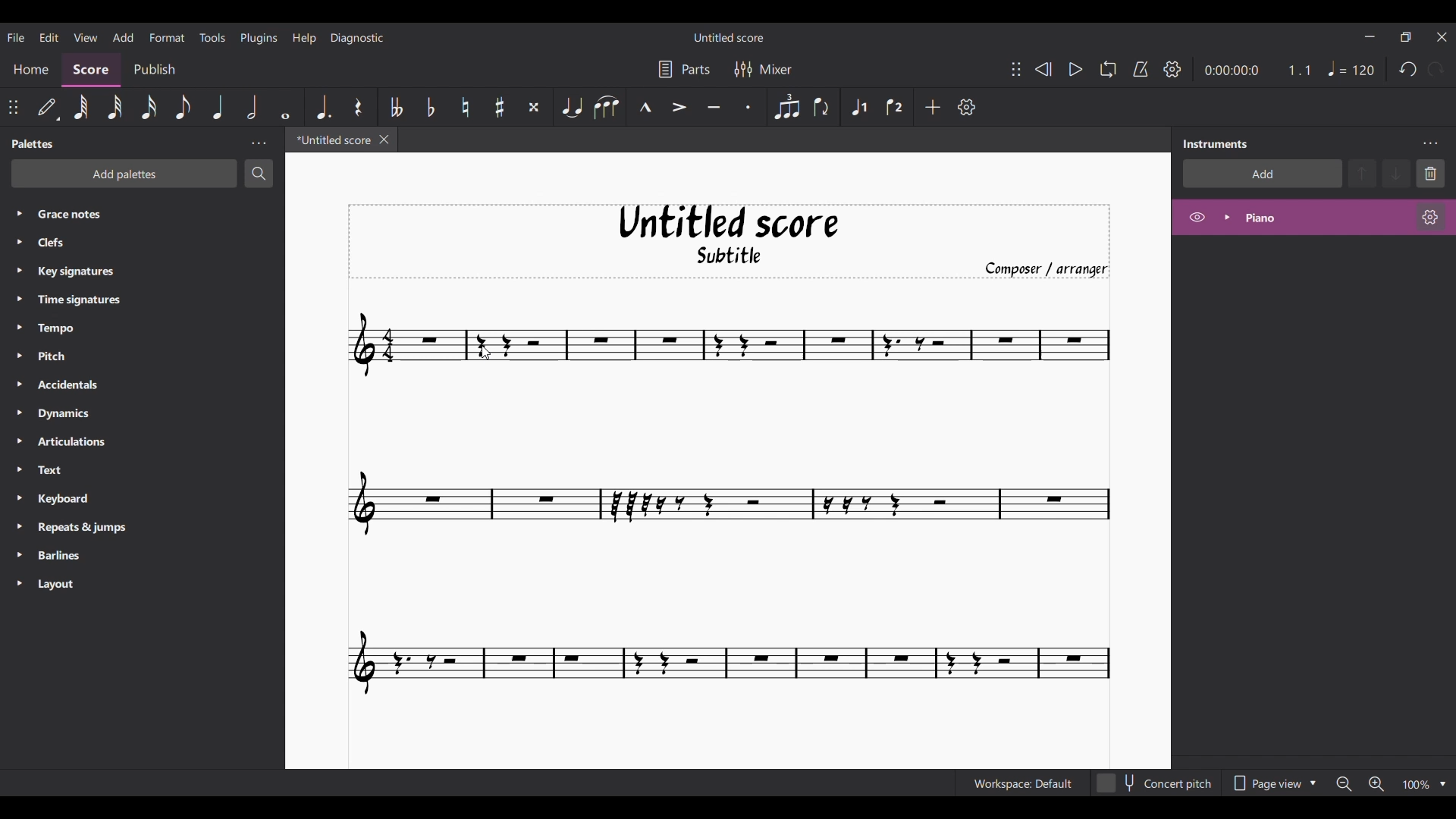 Image resolution: width=1456 pixels, height=819 pixels. I want to click on Expand piano, so click(1227, 217).